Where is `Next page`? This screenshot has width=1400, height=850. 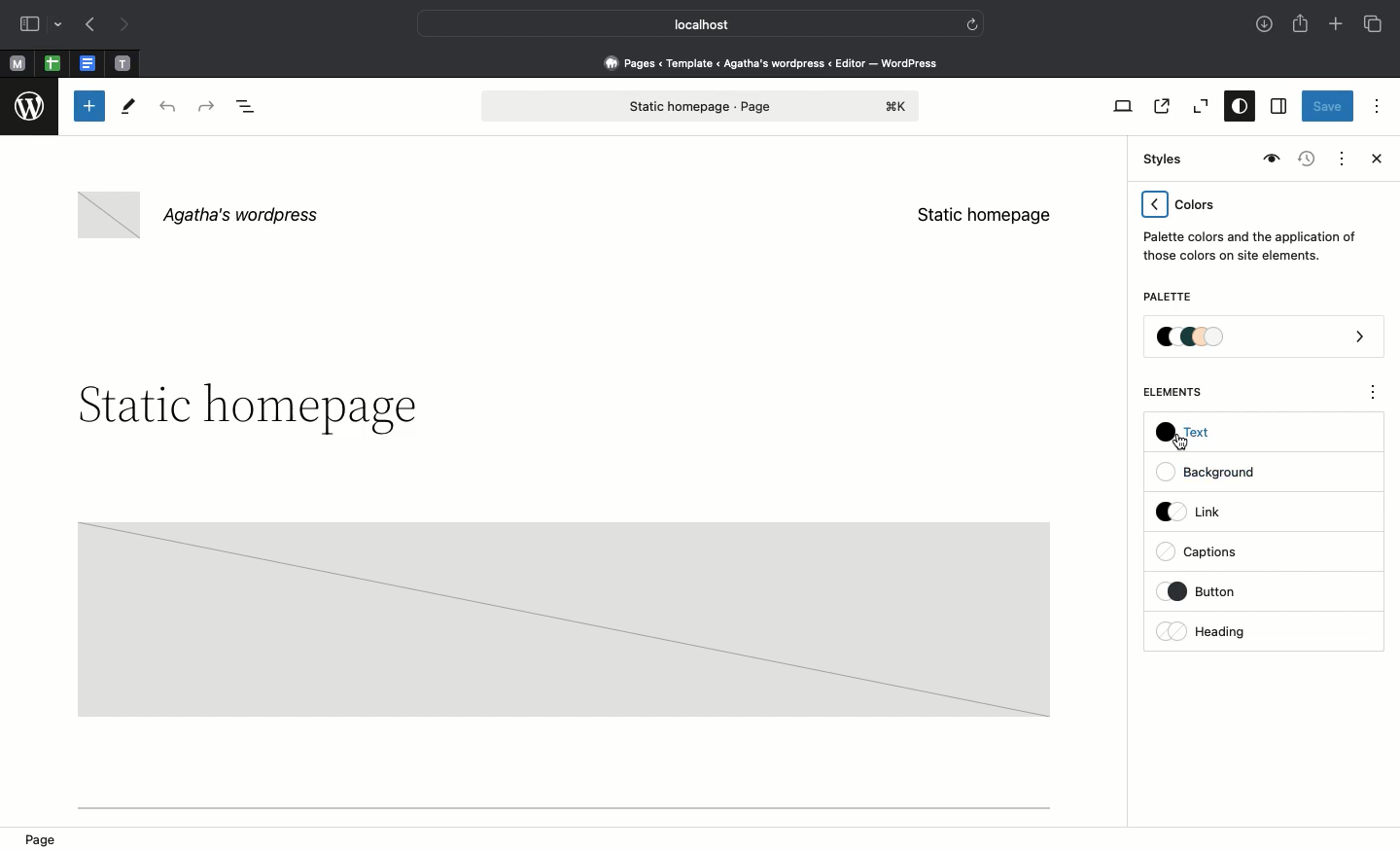 Next page is located at coordinates (124, 25).